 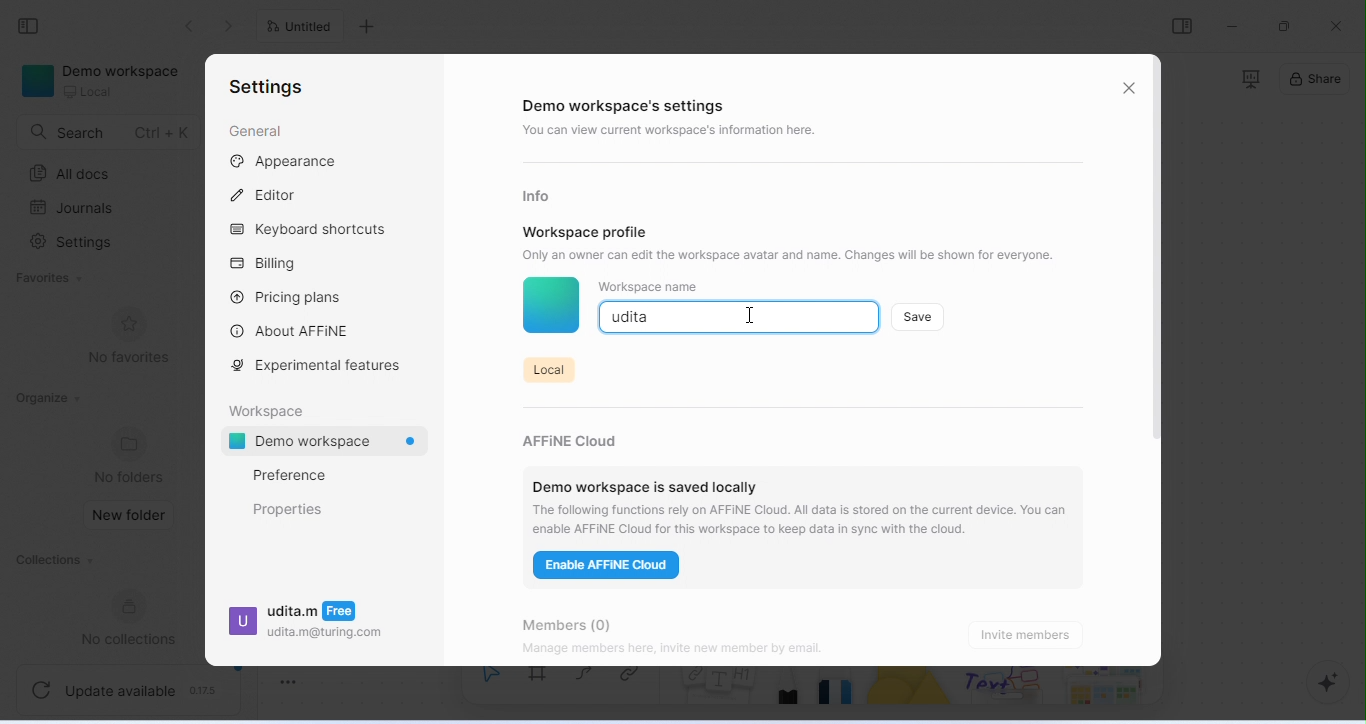 What do you see at coordinates (289, 678) in the screenshot?
I see `toggle zoom` at bounding box center [289, 678].